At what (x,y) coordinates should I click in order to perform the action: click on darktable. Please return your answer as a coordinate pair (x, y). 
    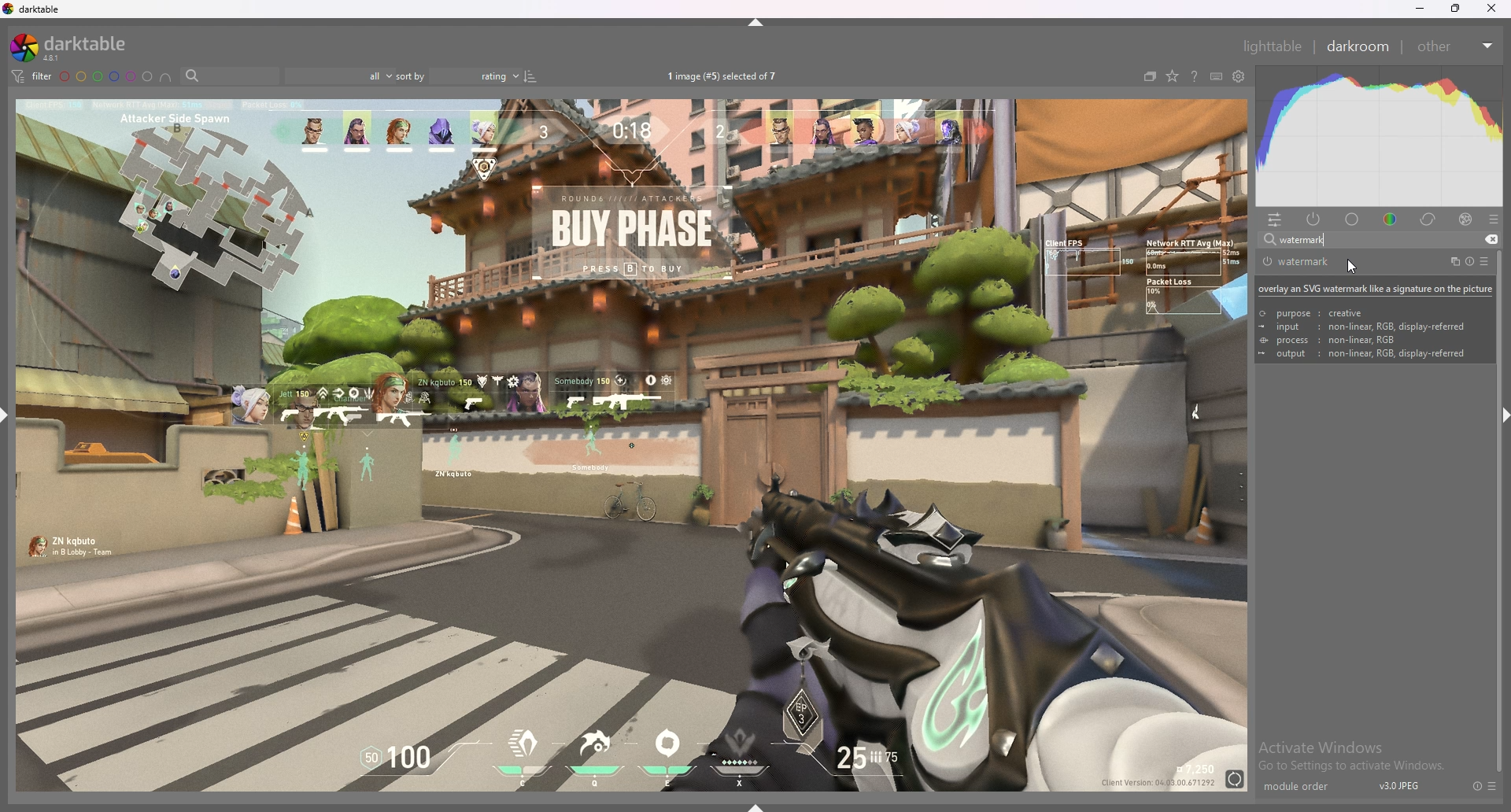
    Looking at the image, I should click on (75, 47).